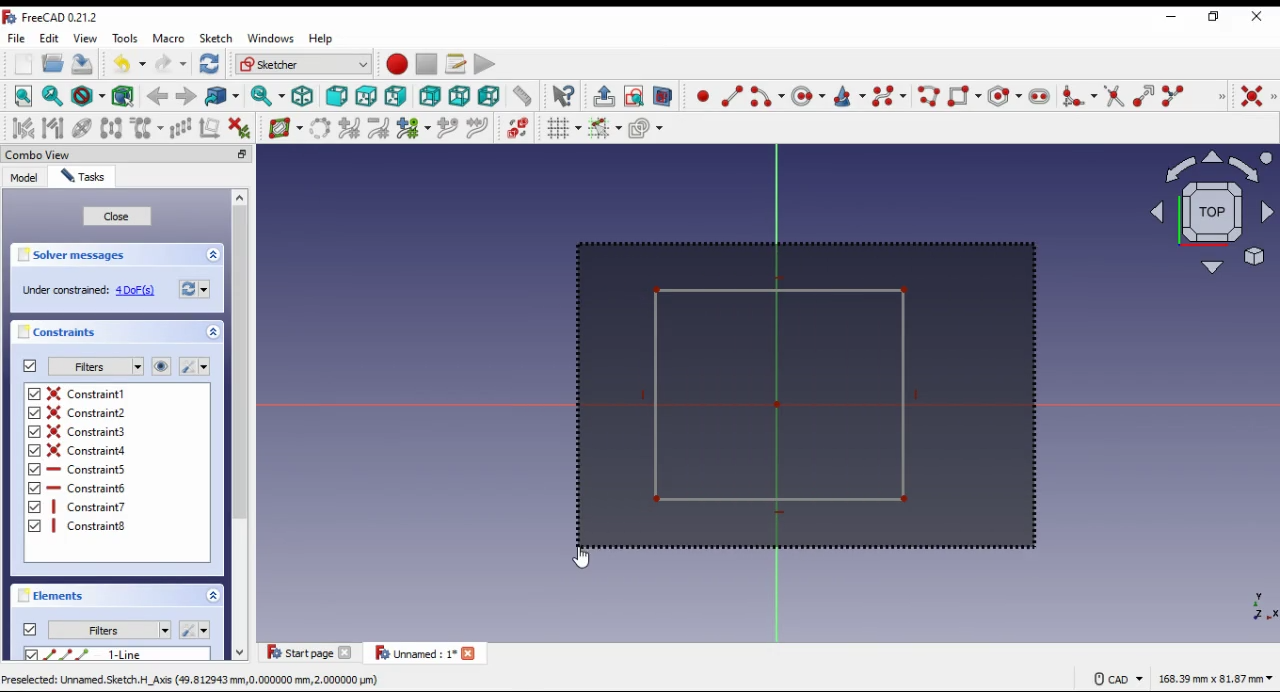 This screenshot has height=692, width=1280. I want to click on close windp, so click(1258, 16).